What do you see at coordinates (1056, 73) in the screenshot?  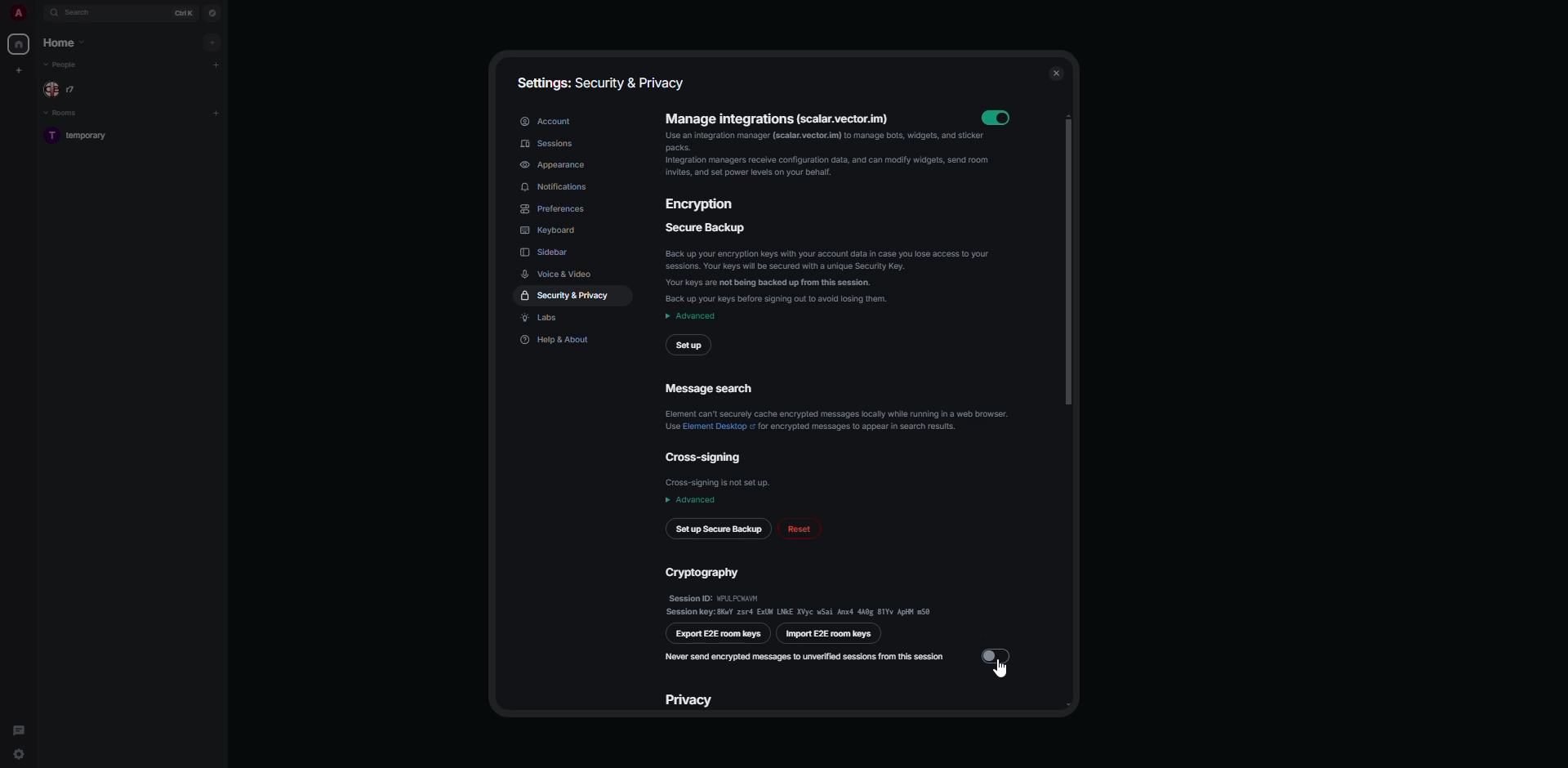 I see `close` at bounding box center [1056, 73].